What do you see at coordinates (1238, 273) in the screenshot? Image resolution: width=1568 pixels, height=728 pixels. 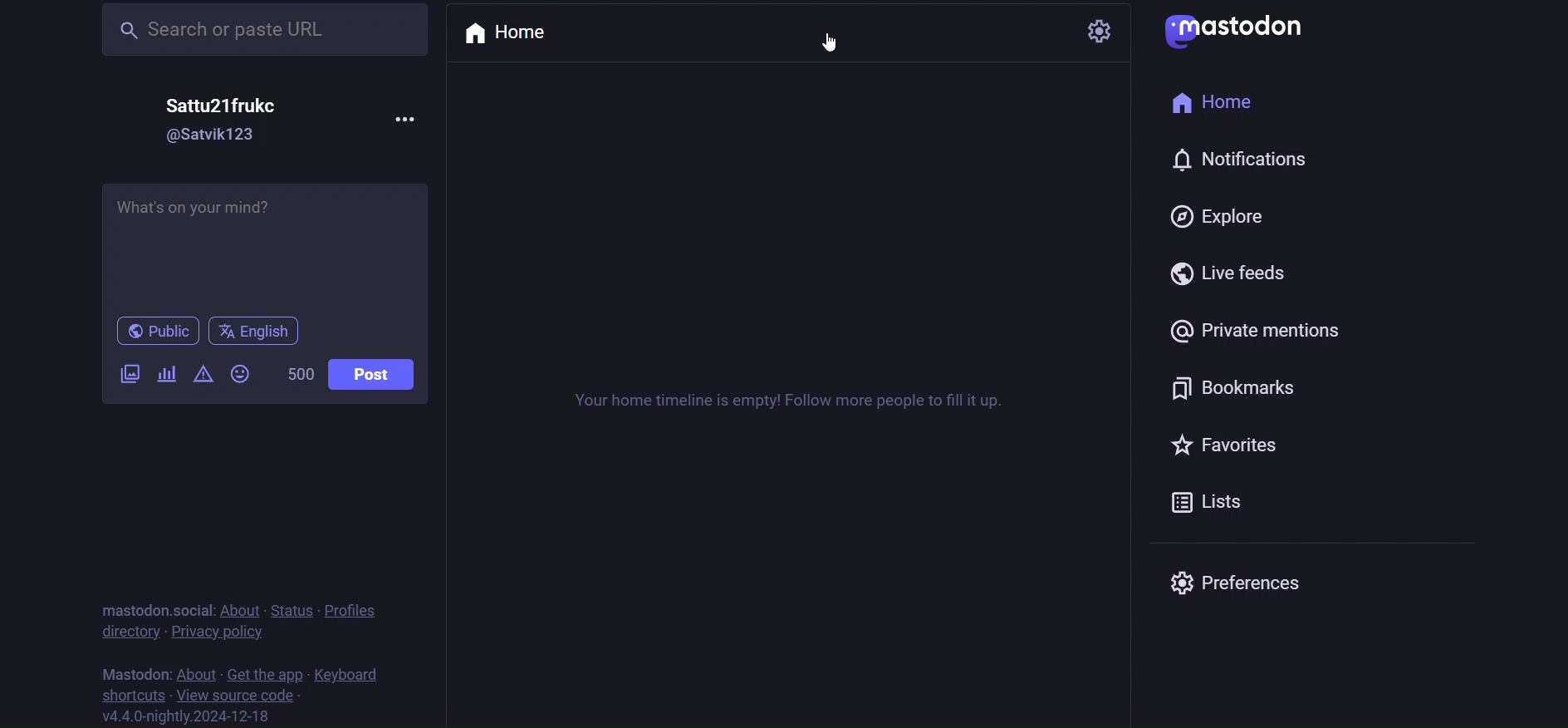 I see `live feed` at bounding box center [1238, 273].